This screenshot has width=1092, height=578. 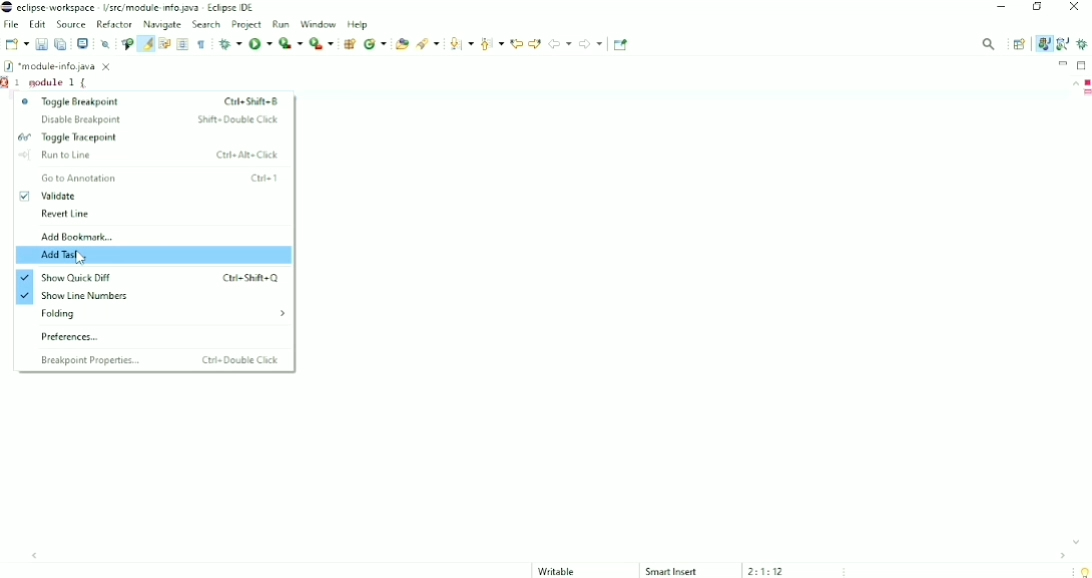 What do you see at coordinates (71, 24) in the screenshot?
I see `Source` at bounding box center [71, 24].